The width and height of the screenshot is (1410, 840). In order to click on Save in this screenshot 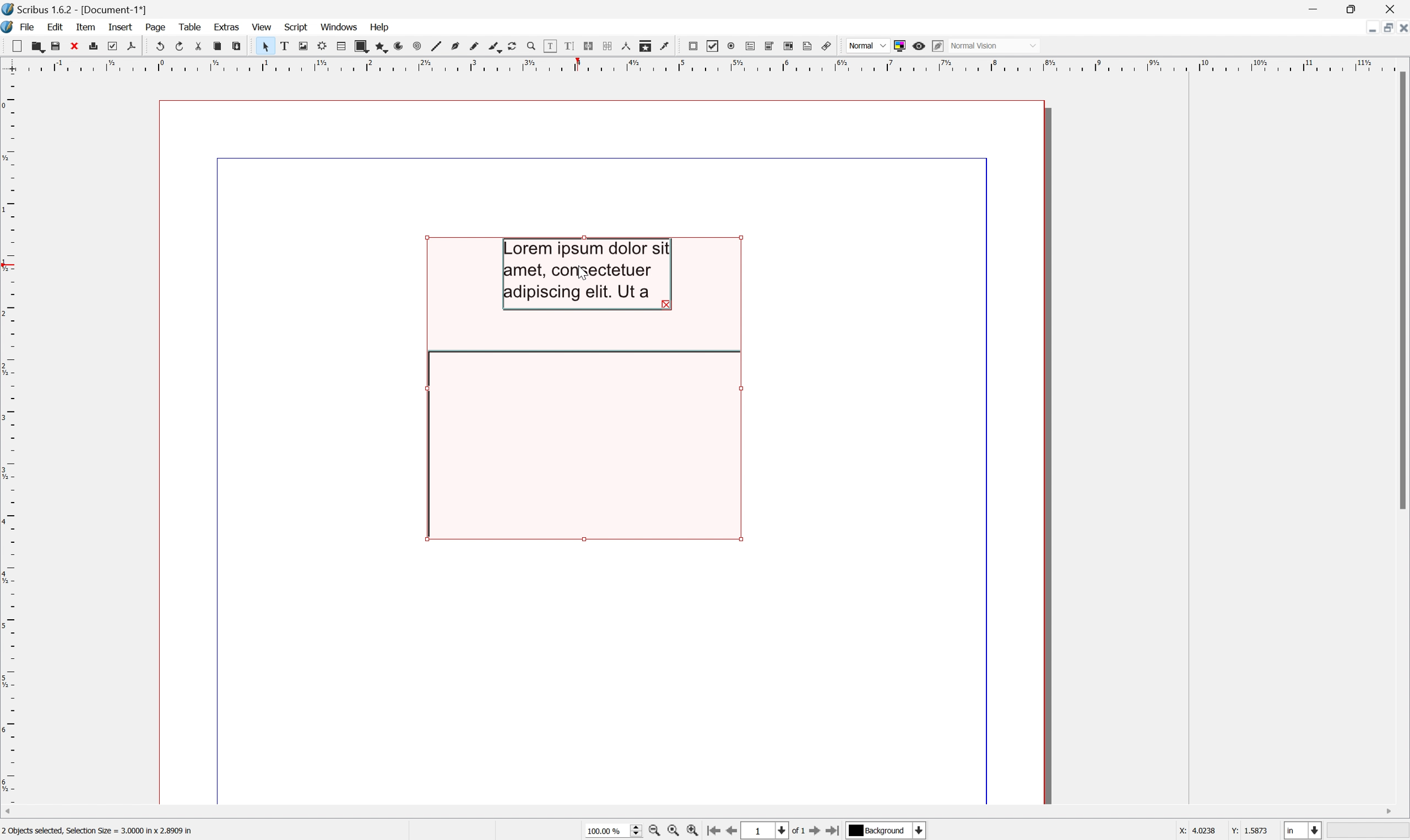, I will do `click(54, 47)`.